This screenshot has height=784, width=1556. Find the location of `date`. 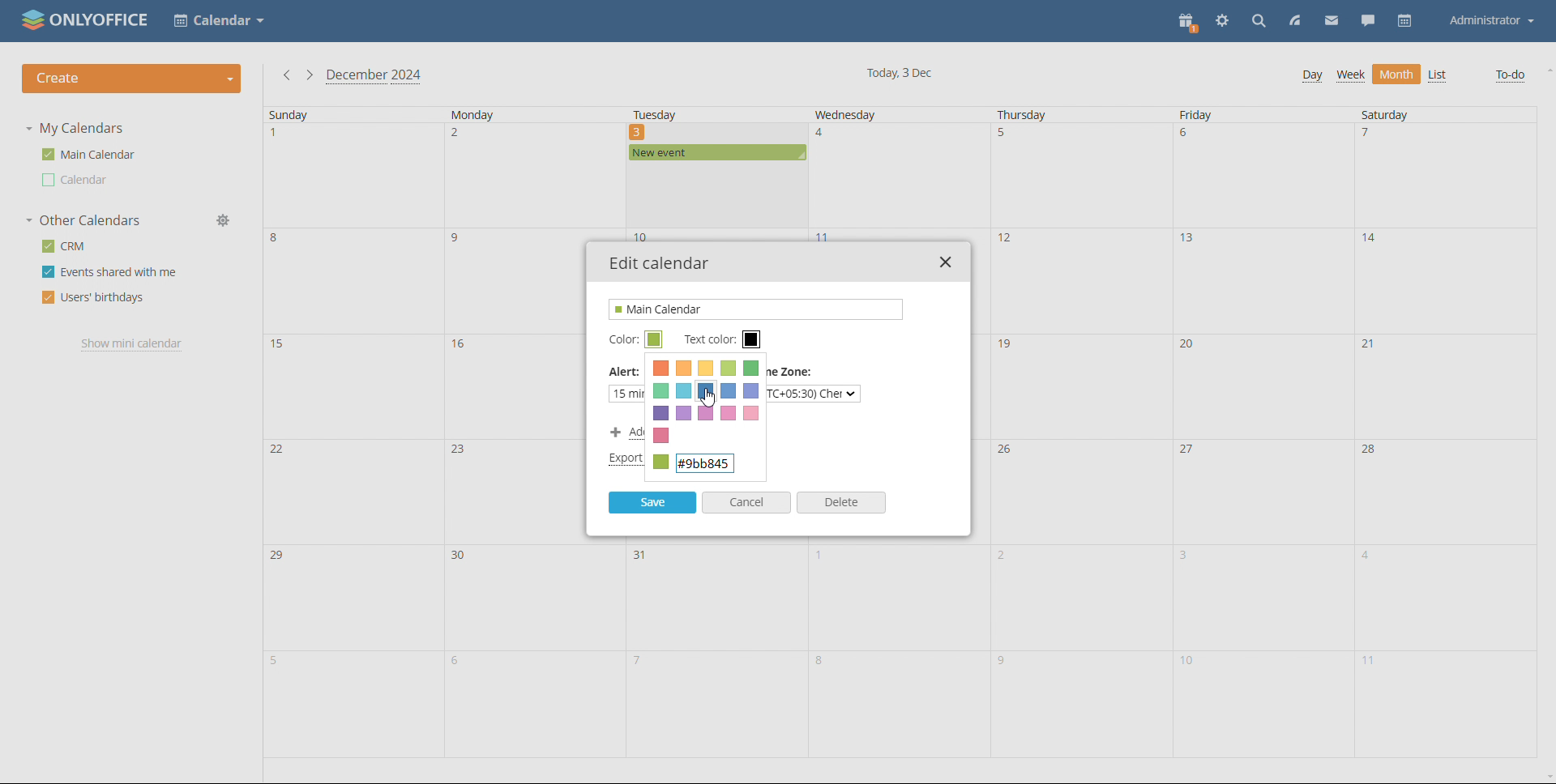

date is located at coordinates (353, 489).